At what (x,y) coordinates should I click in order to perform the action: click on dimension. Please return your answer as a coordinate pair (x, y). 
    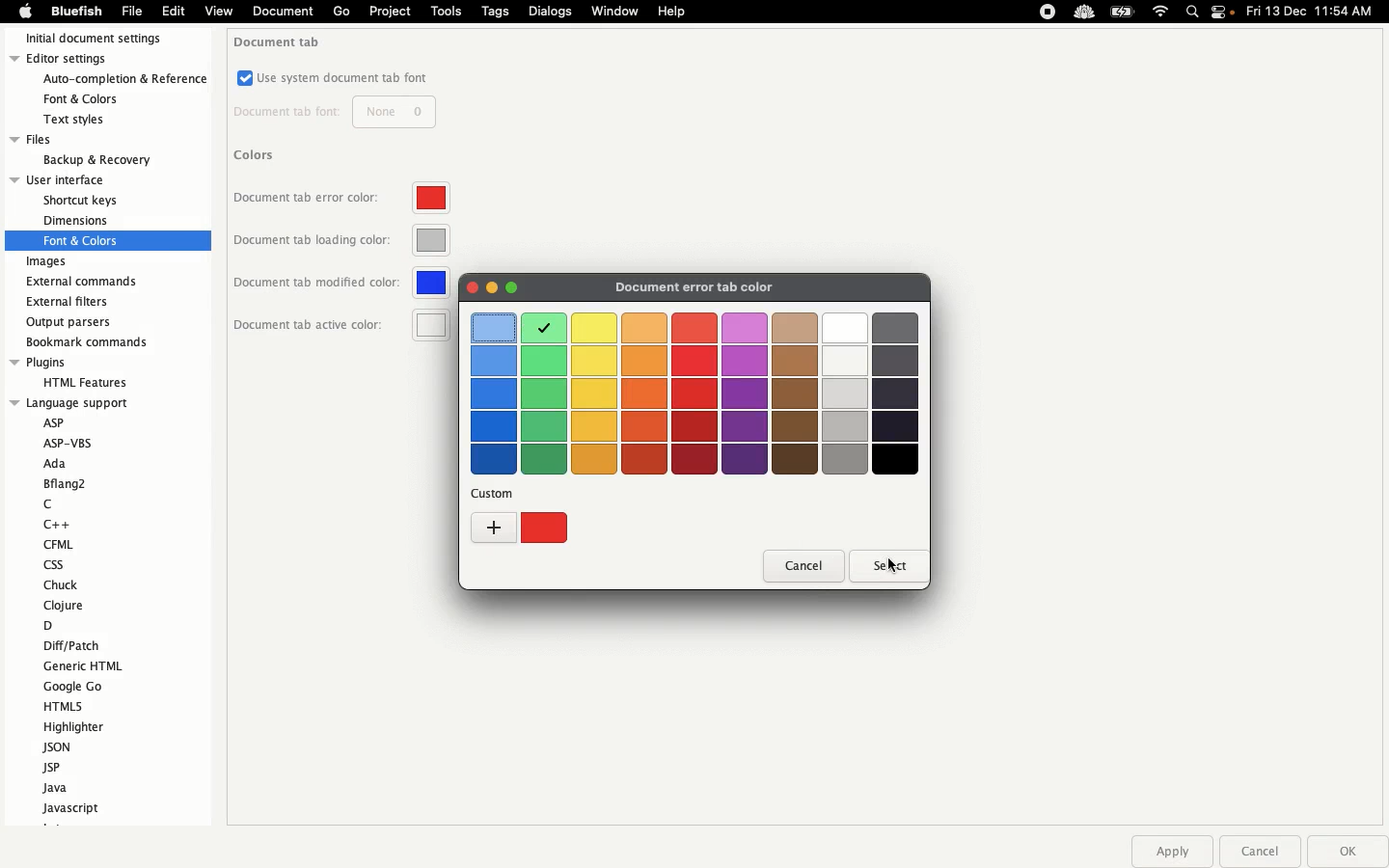
    Looking at the image, I should click on (75, 220).